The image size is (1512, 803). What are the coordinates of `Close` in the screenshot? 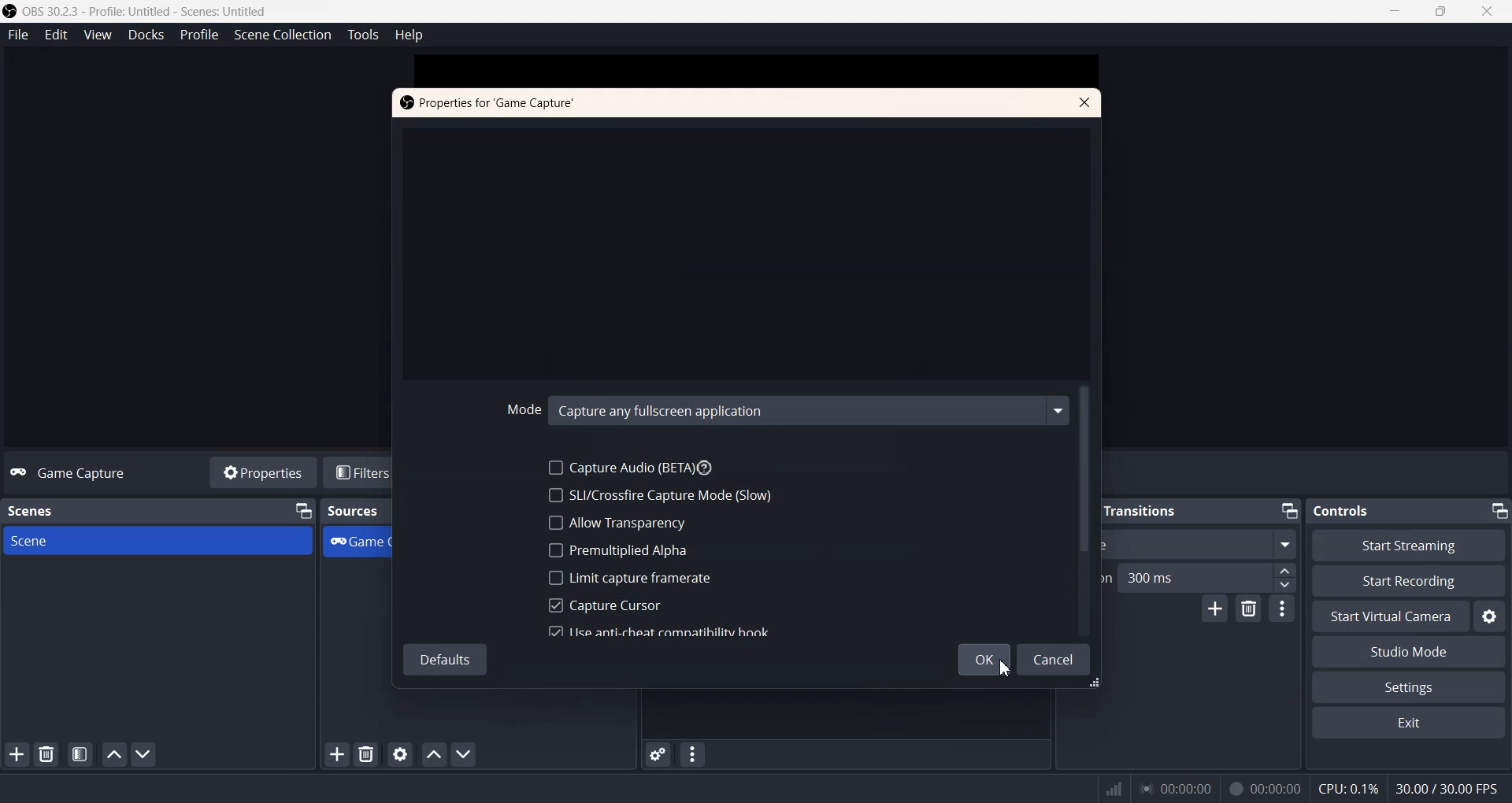 It's located at (1487, 12).